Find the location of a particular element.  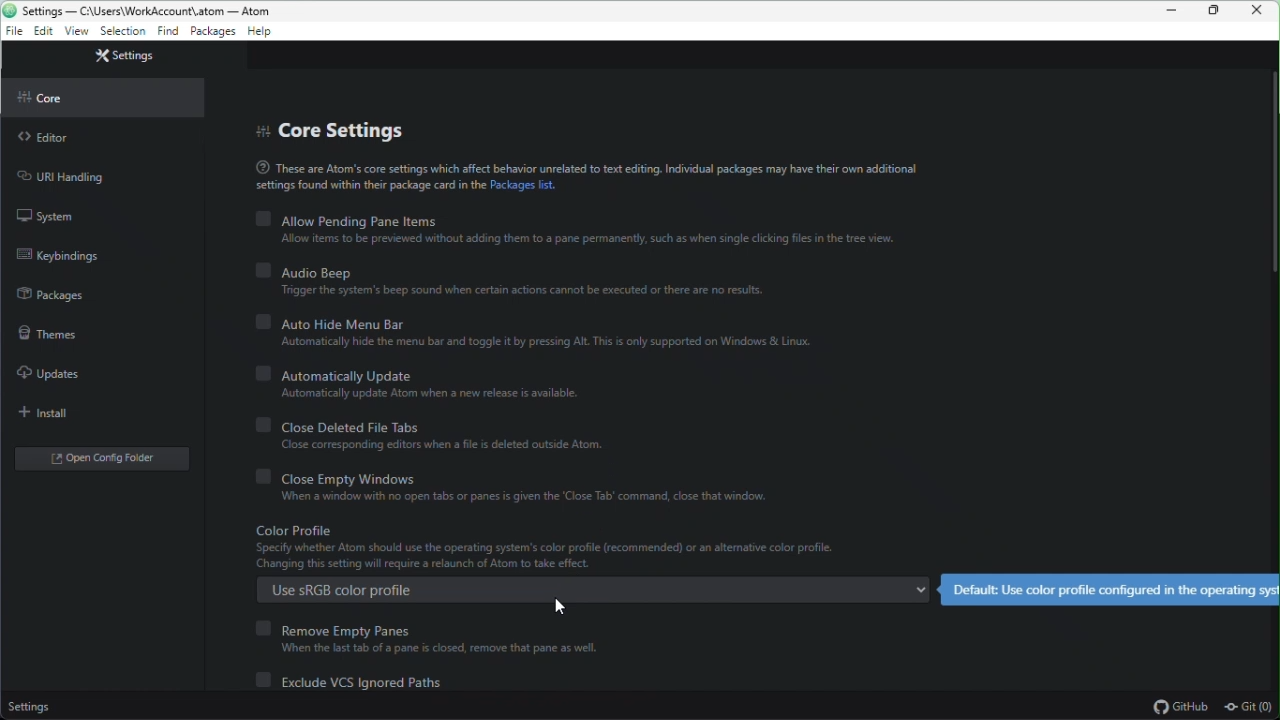

Restore is located at coordinates (1217, 11).